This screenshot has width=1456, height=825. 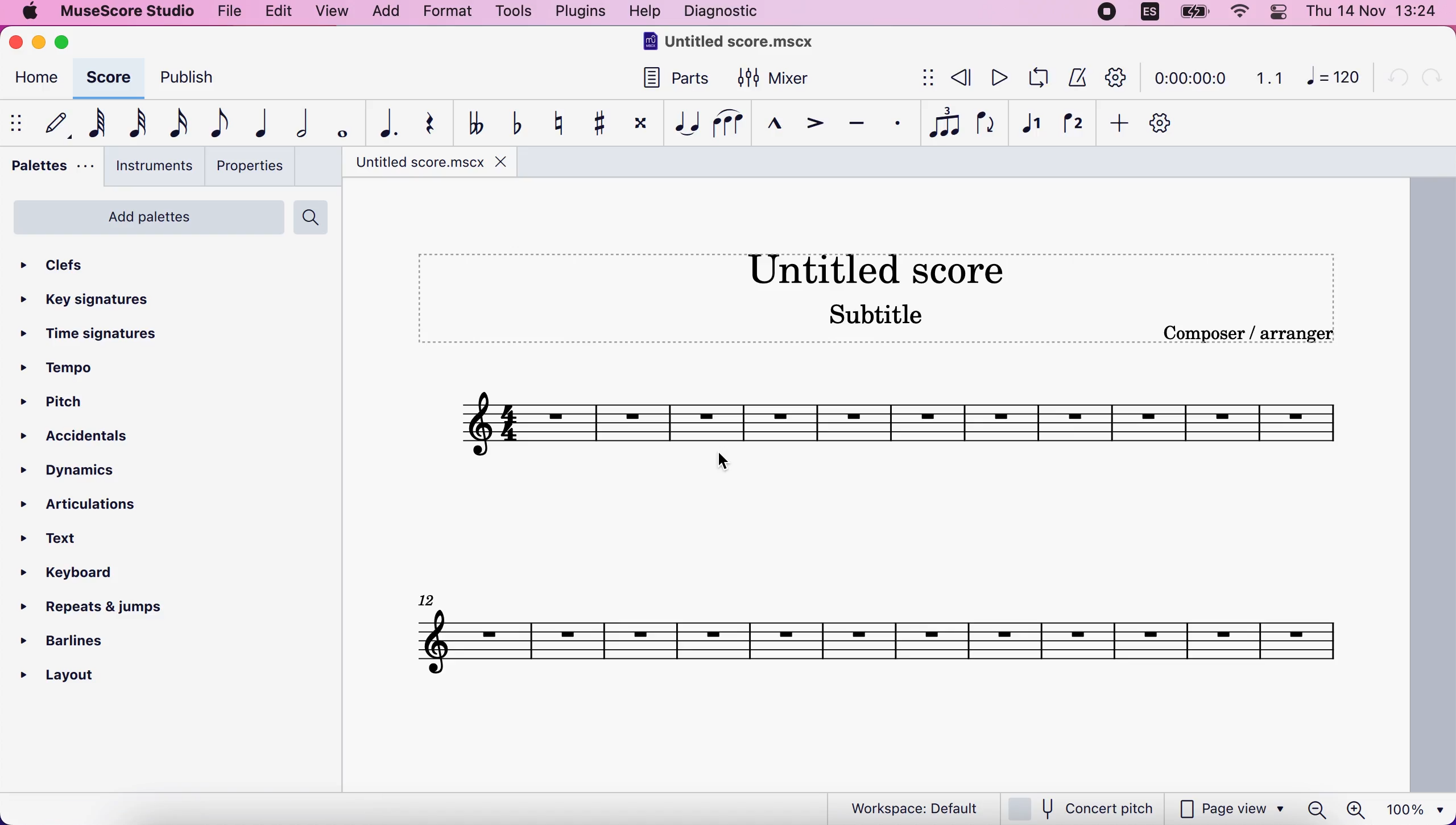 I want to click on barlines, so click(x=76, y=639).